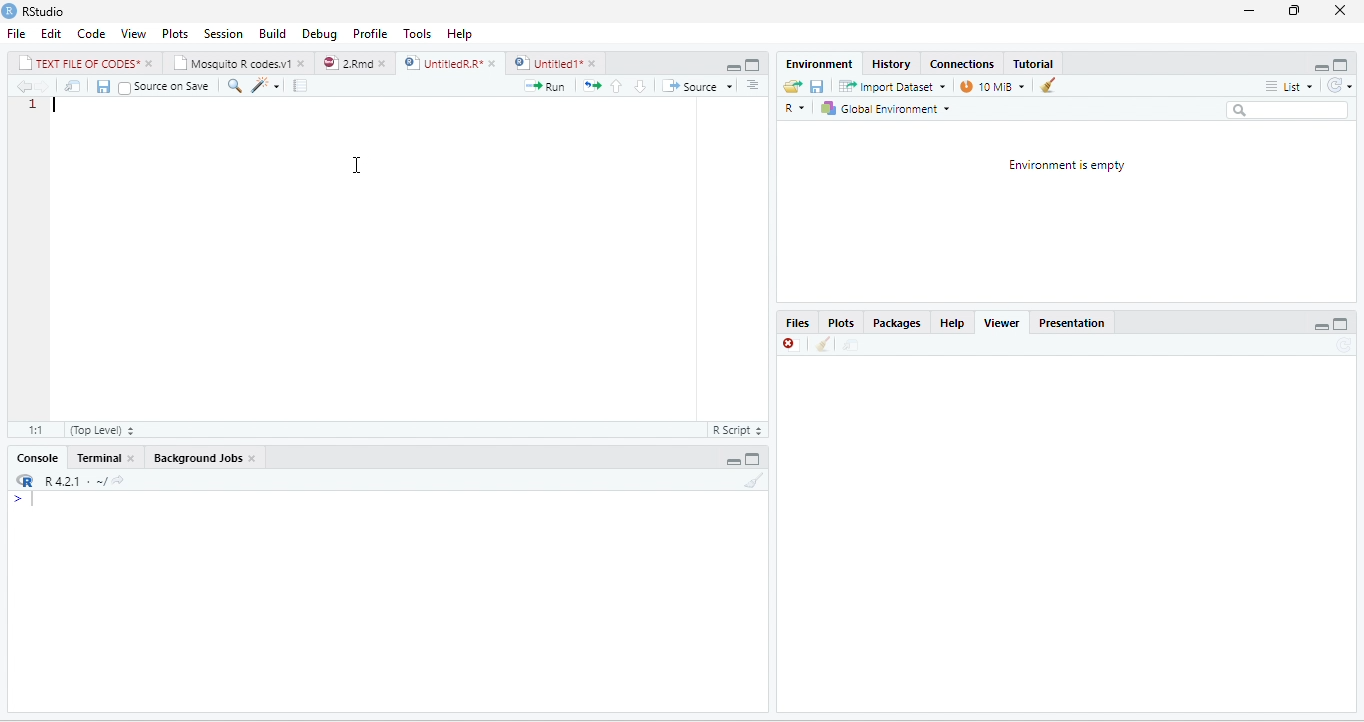 This screenshot has width=1364, height=722. I want to click on help, so click(952, 324).